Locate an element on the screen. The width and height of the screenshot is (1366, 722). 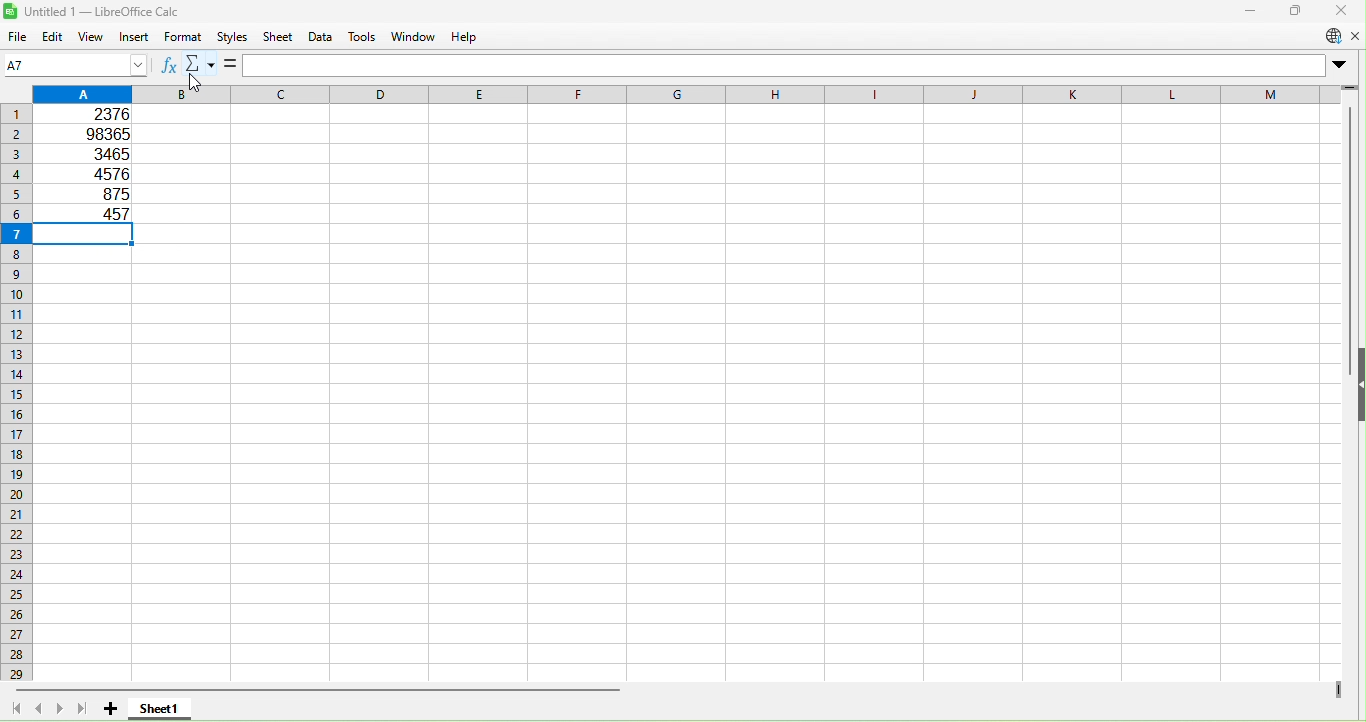
Help is located at coordinates (467, 36).